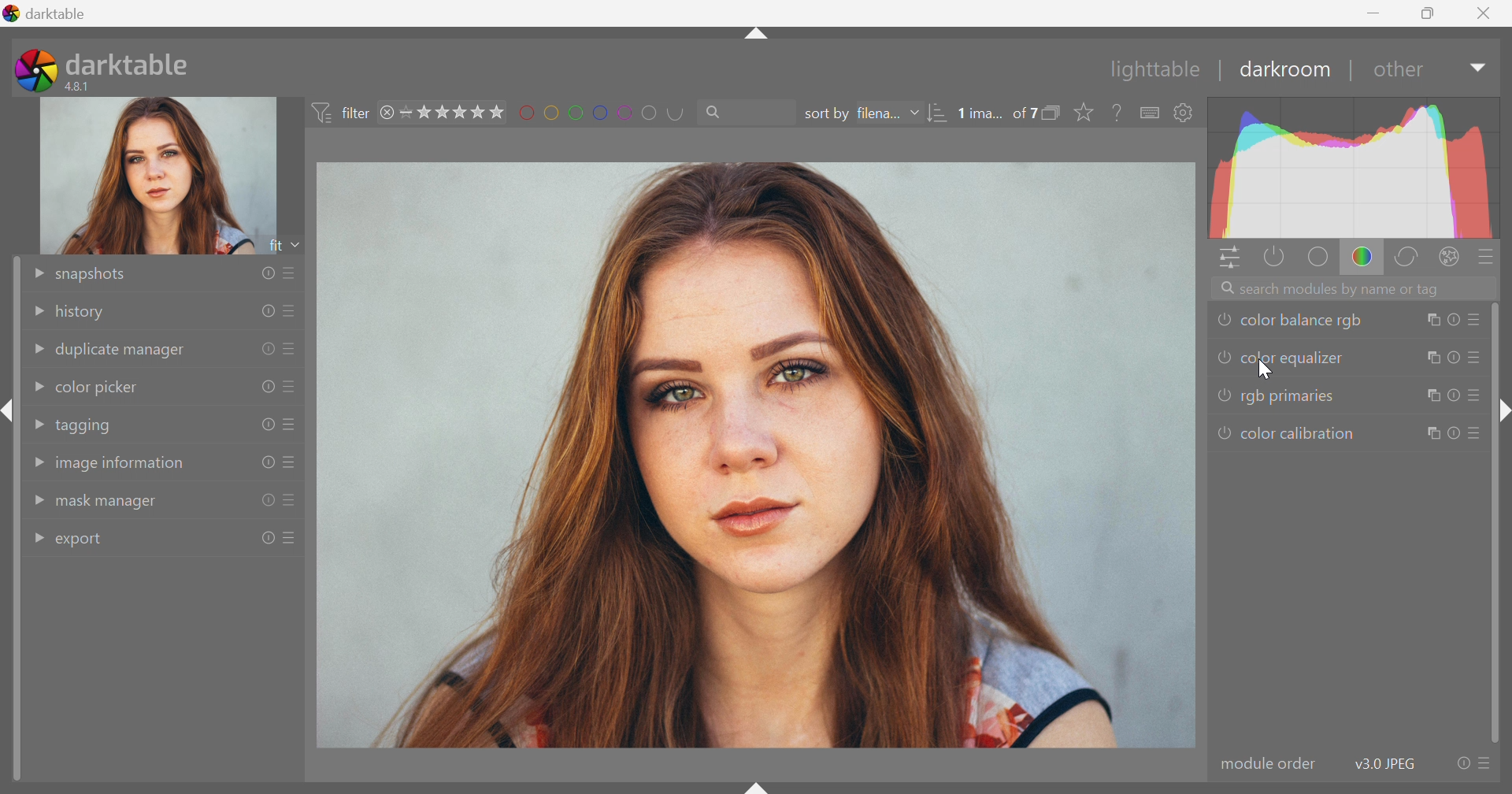 Image resolution: width=1512 pixels, height=794 pixels. What do you see at coordinates (292, 270) in the screenshot?
I see `presets` at bounding box center [292, 270].